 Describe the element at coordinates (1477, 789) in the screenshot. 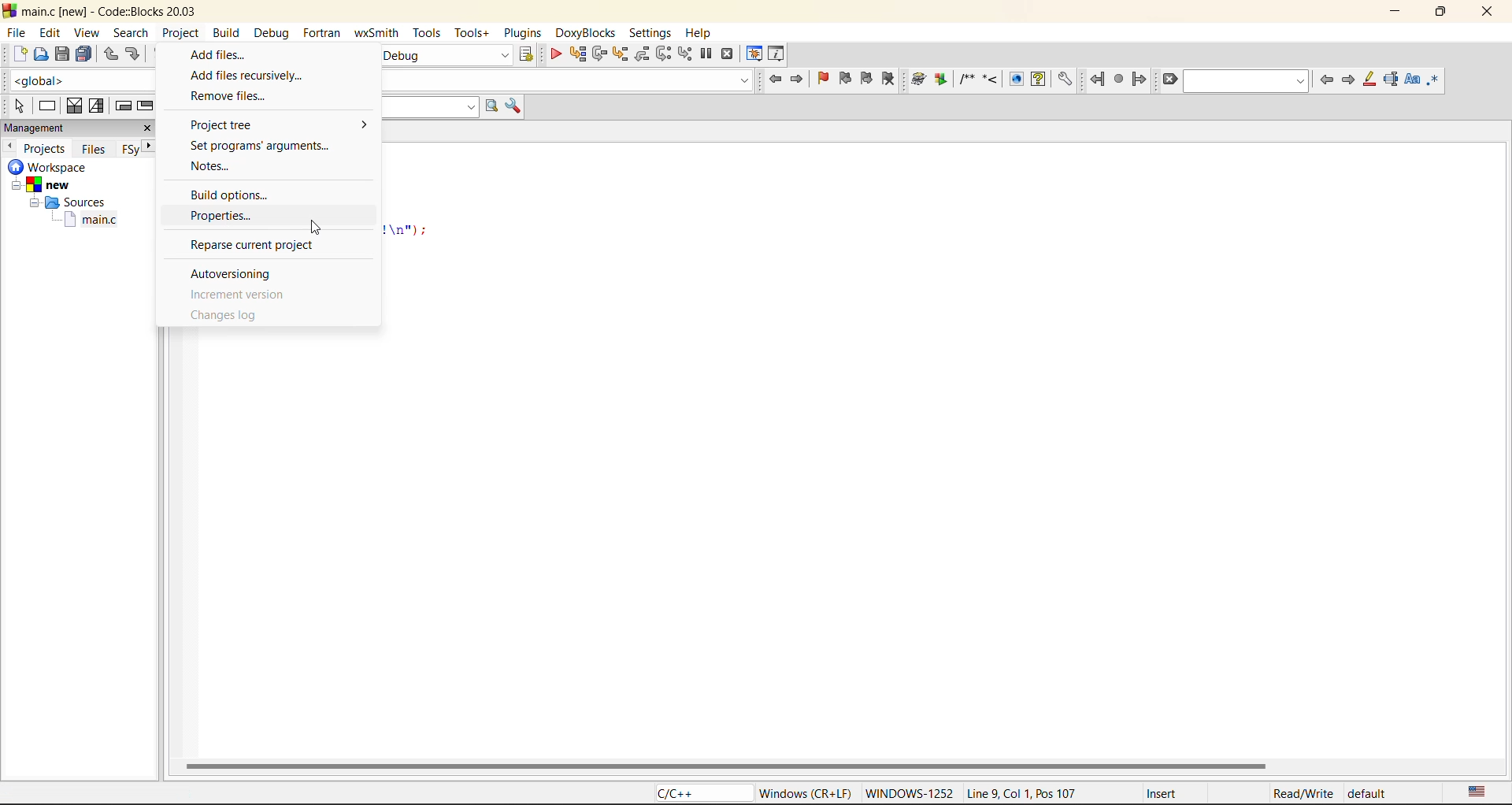

I see `text language` at that location.